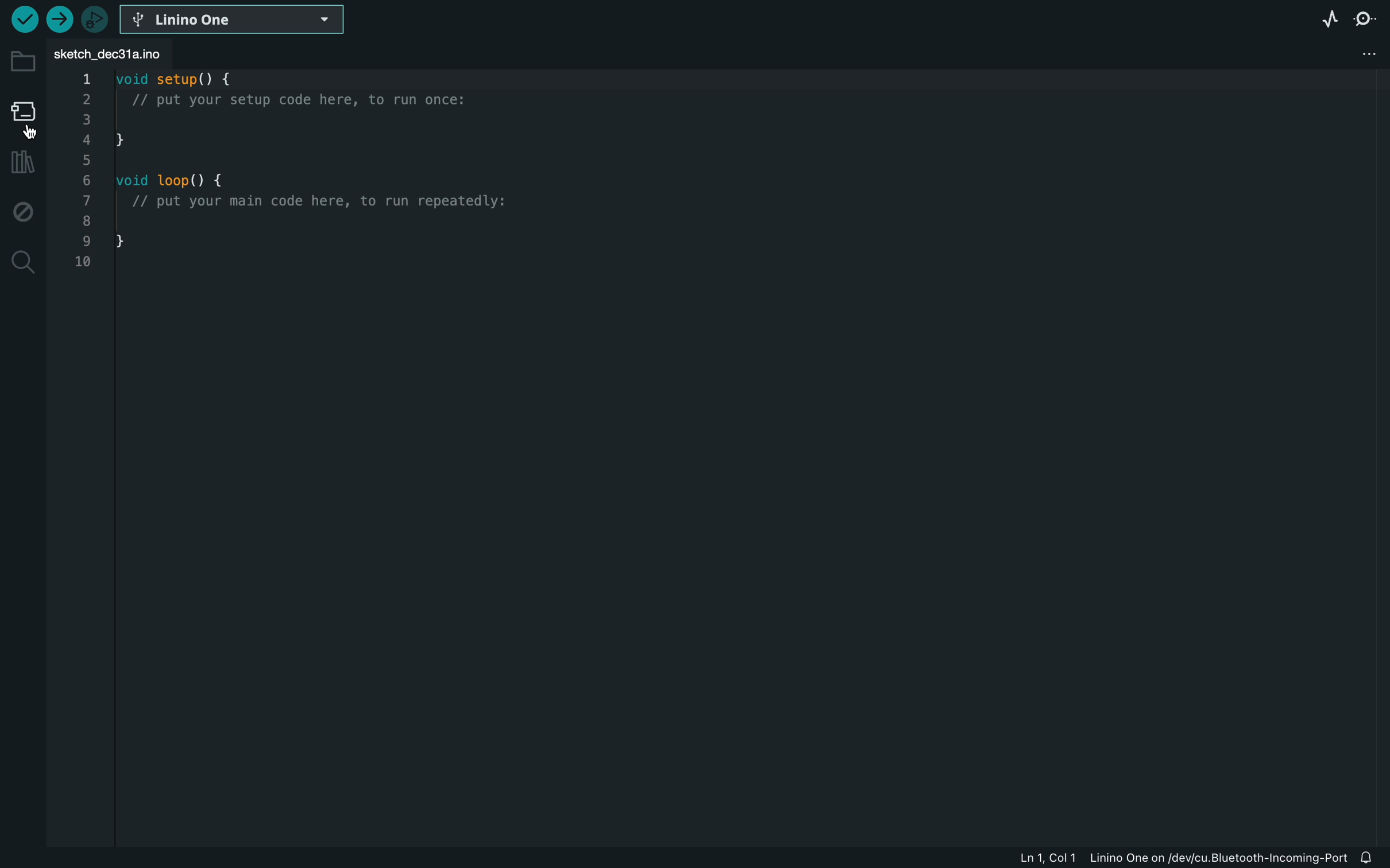  What do you see at coordinates (59, 20) in the screenshot?
I see `upload` at bounding box center [59, 20].